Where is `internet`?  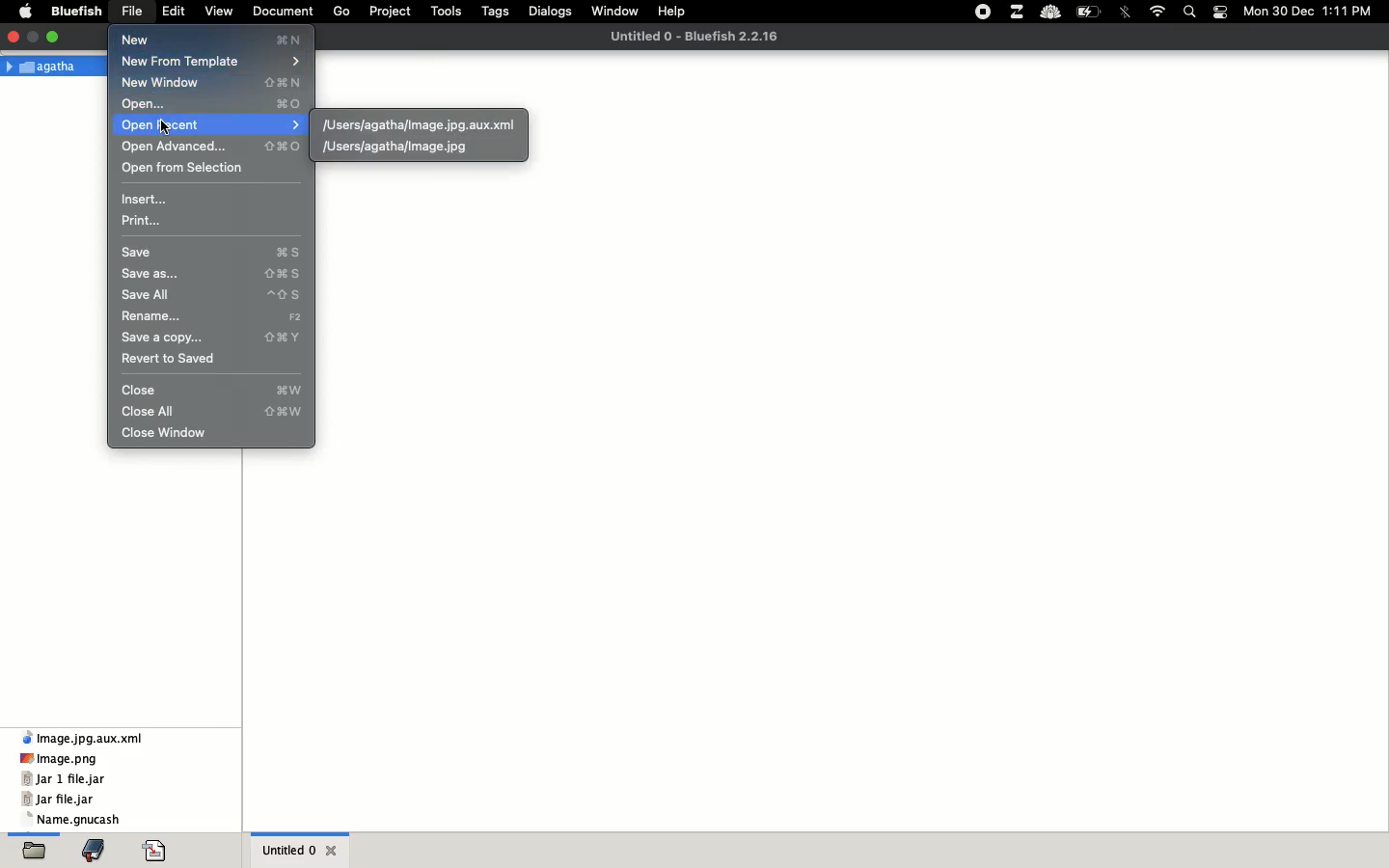
internet is located at coordinates (1157, 10).